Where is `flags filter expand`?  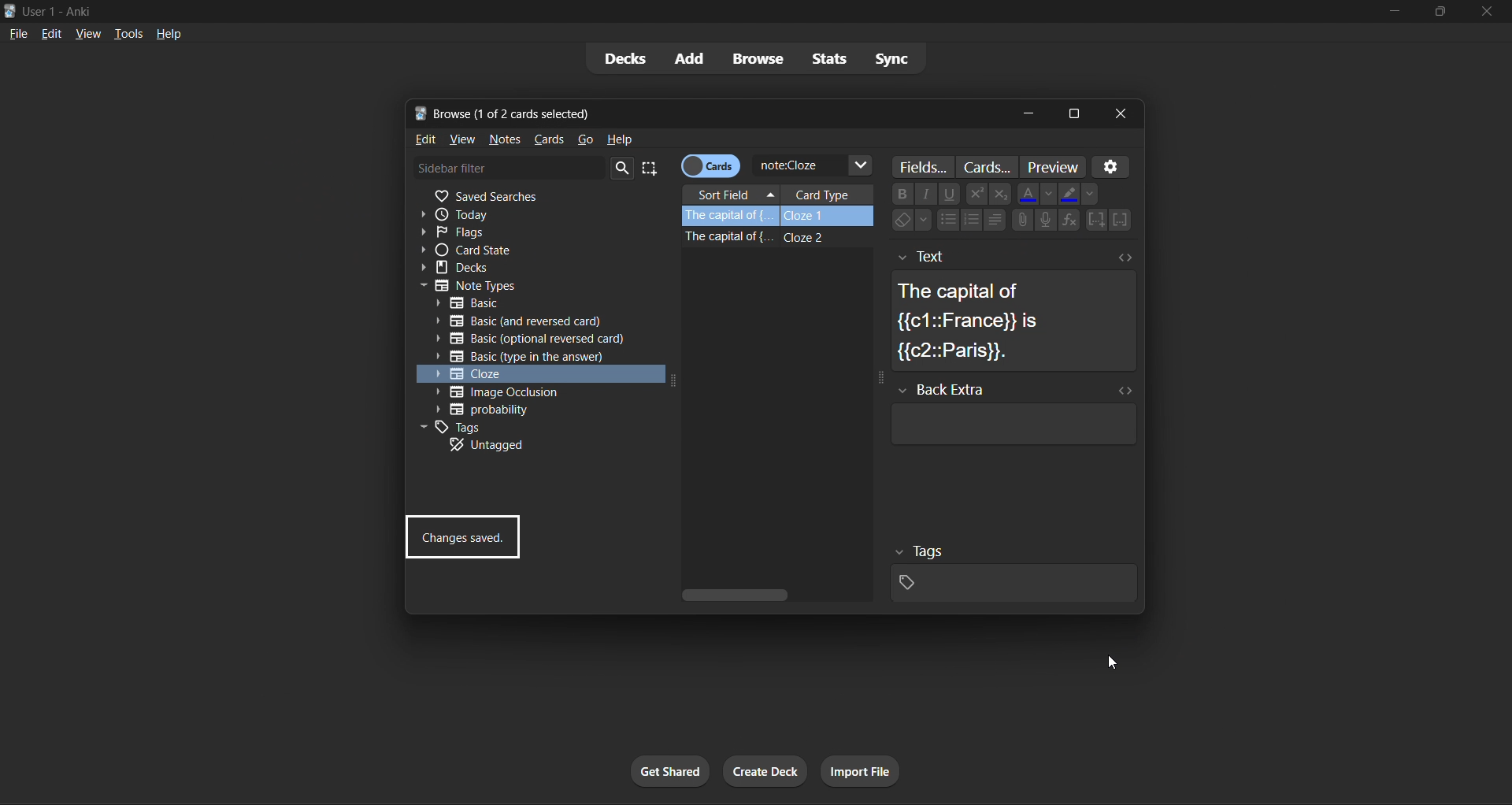
flags filter expand is located at coordinates (535, 233).